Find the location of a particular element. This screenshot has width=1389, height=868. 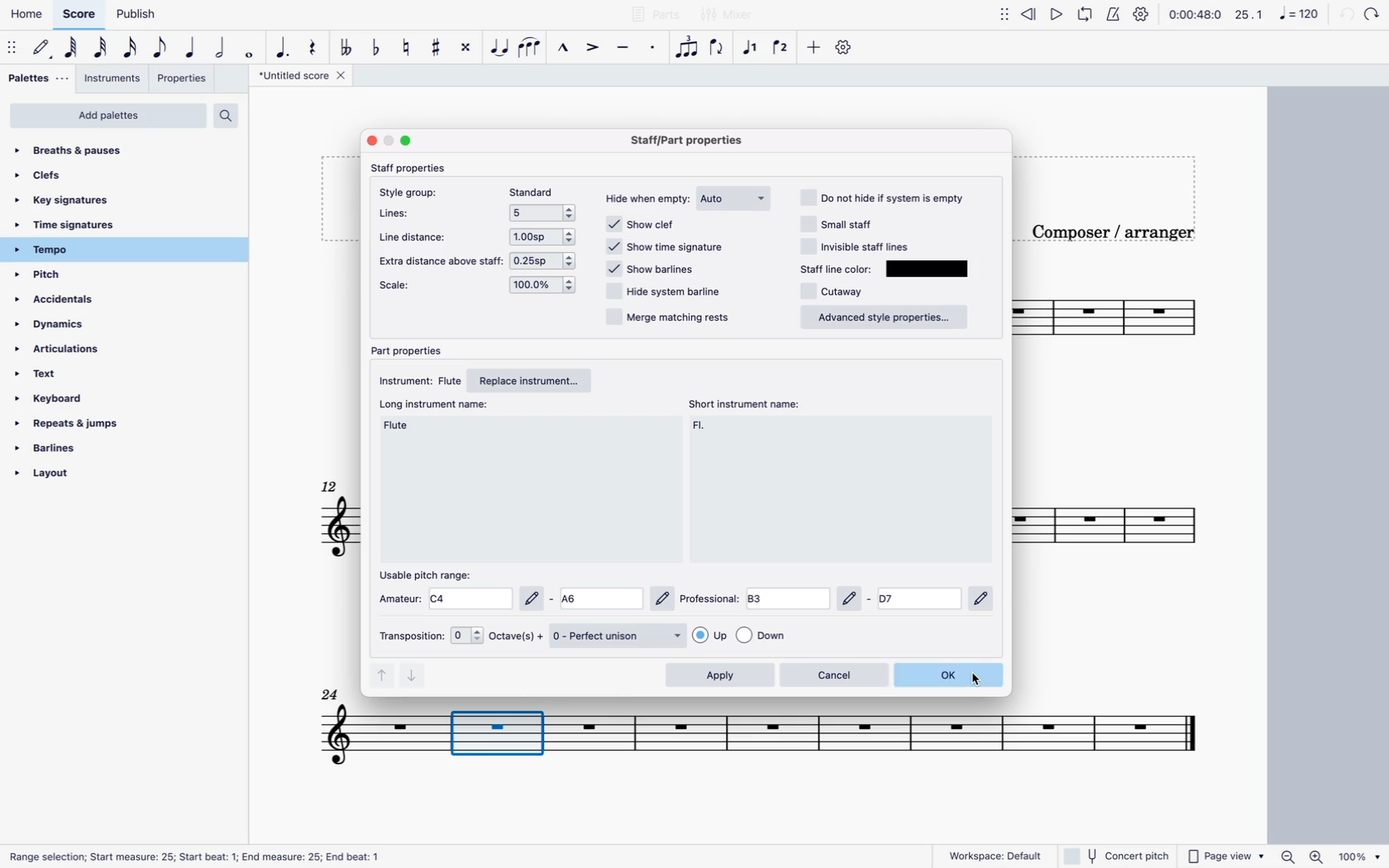

minimize is located at coordinates (389, 140).